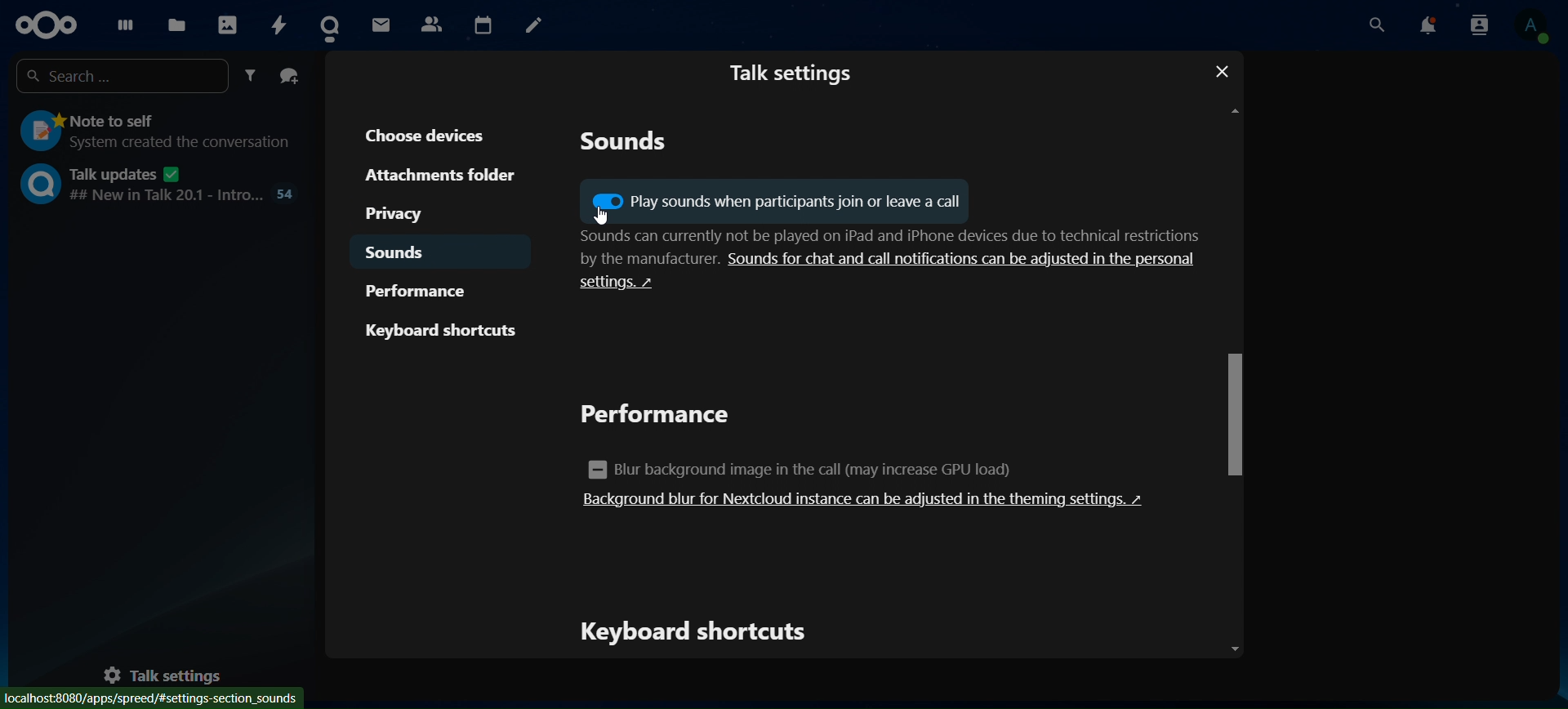  Describe the element at coordinates (427, 290) in the screenshot. I see `performance` at that location.